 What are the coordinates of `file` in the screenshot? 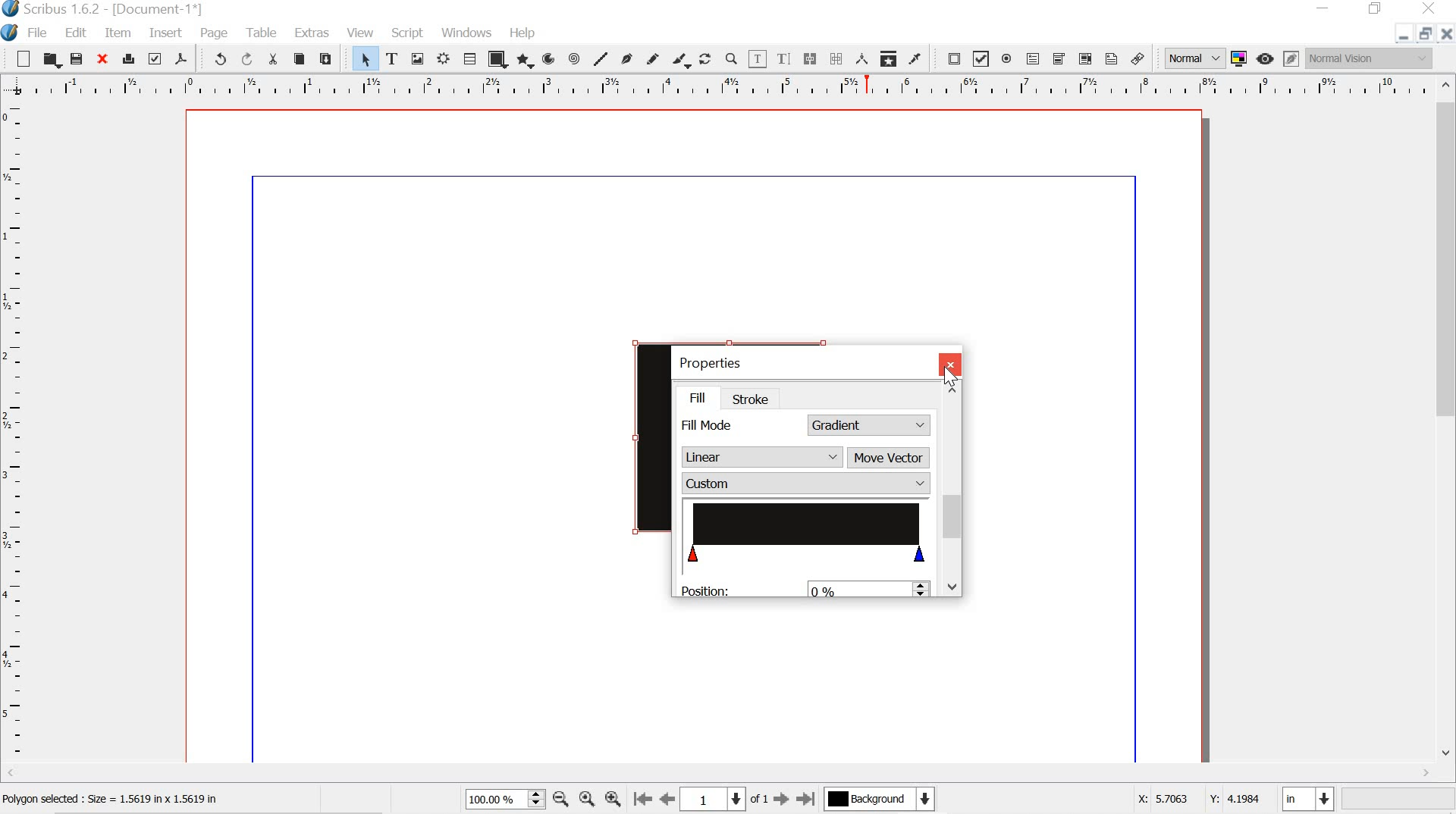 It's located at (40, 33).